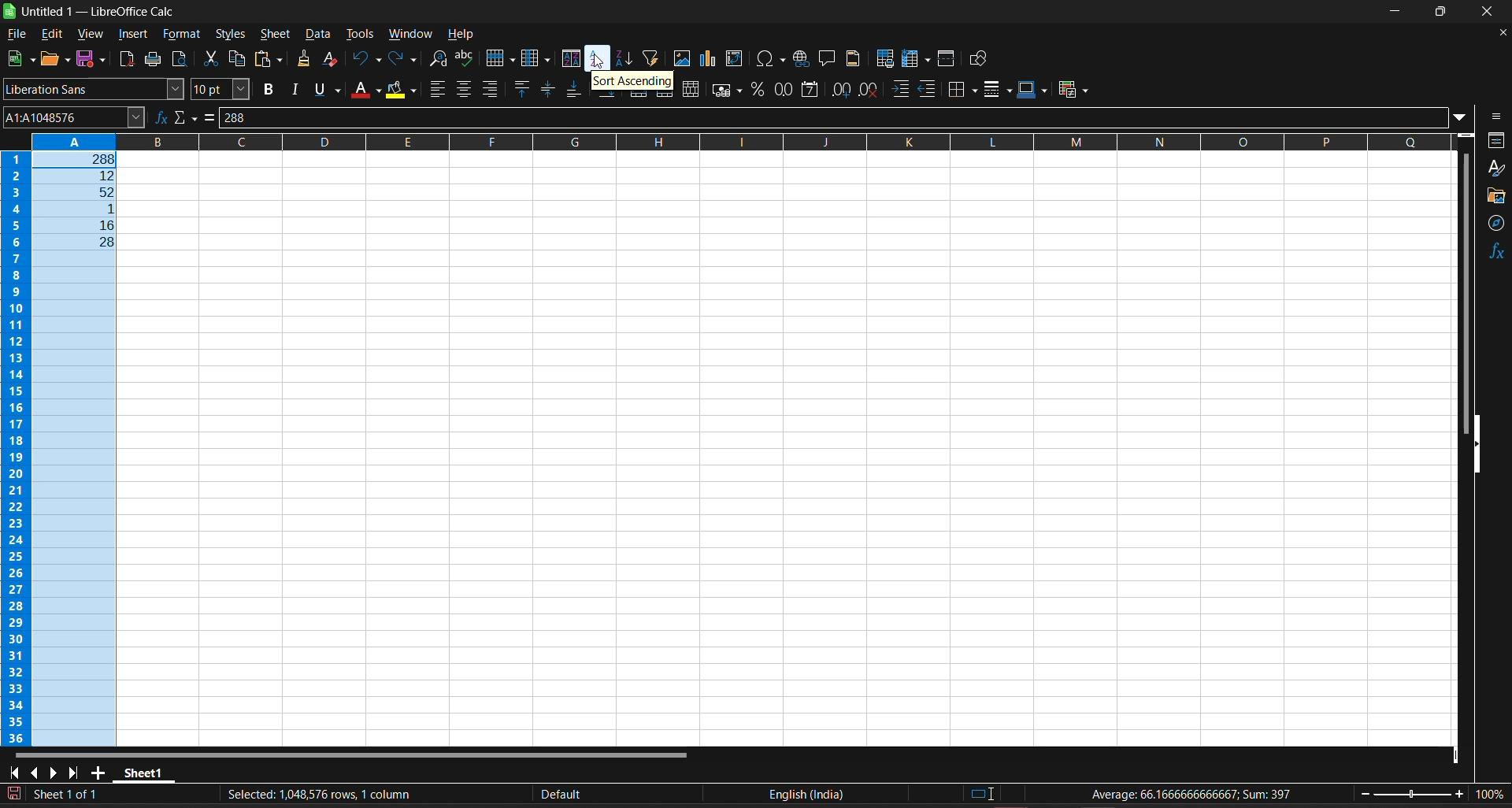 This screenshot has width=1512, height=808. I want to click on center vertically, so click(546, 89).